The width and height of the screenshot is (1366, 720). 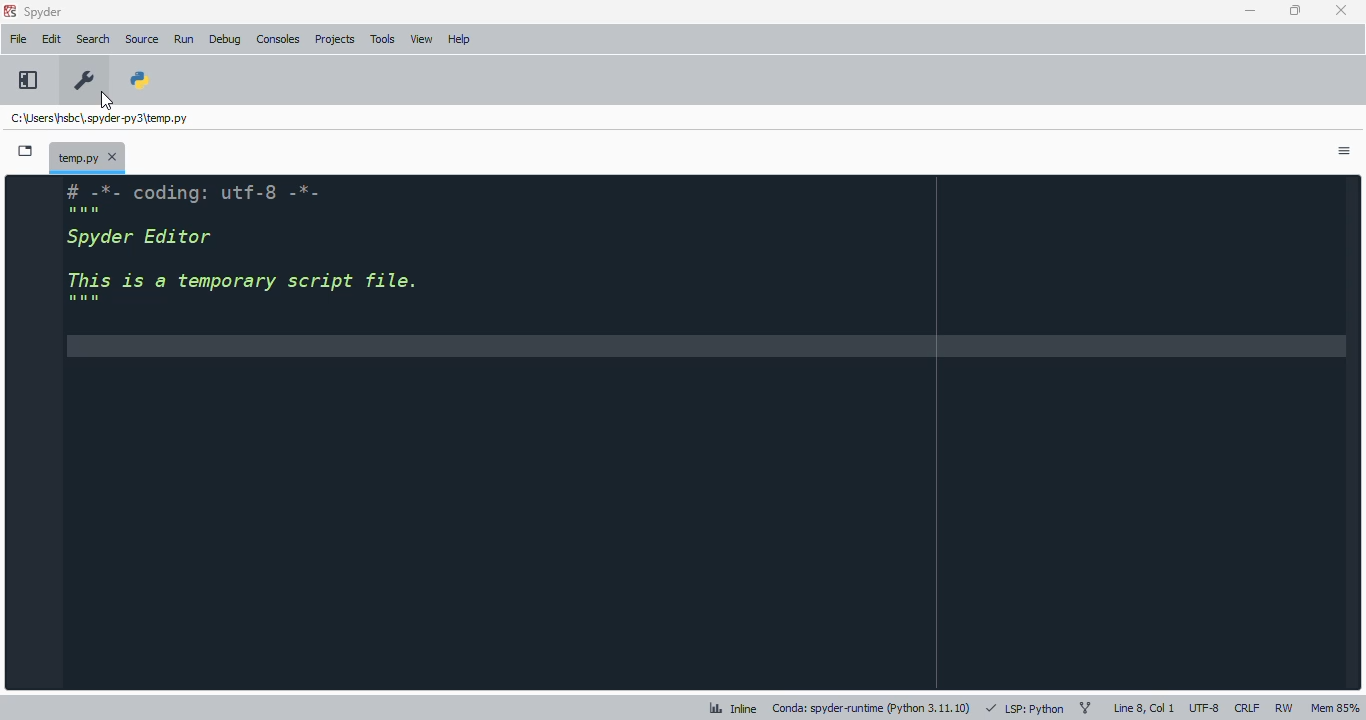 I want to click on options, so click(x=1345, y=152).